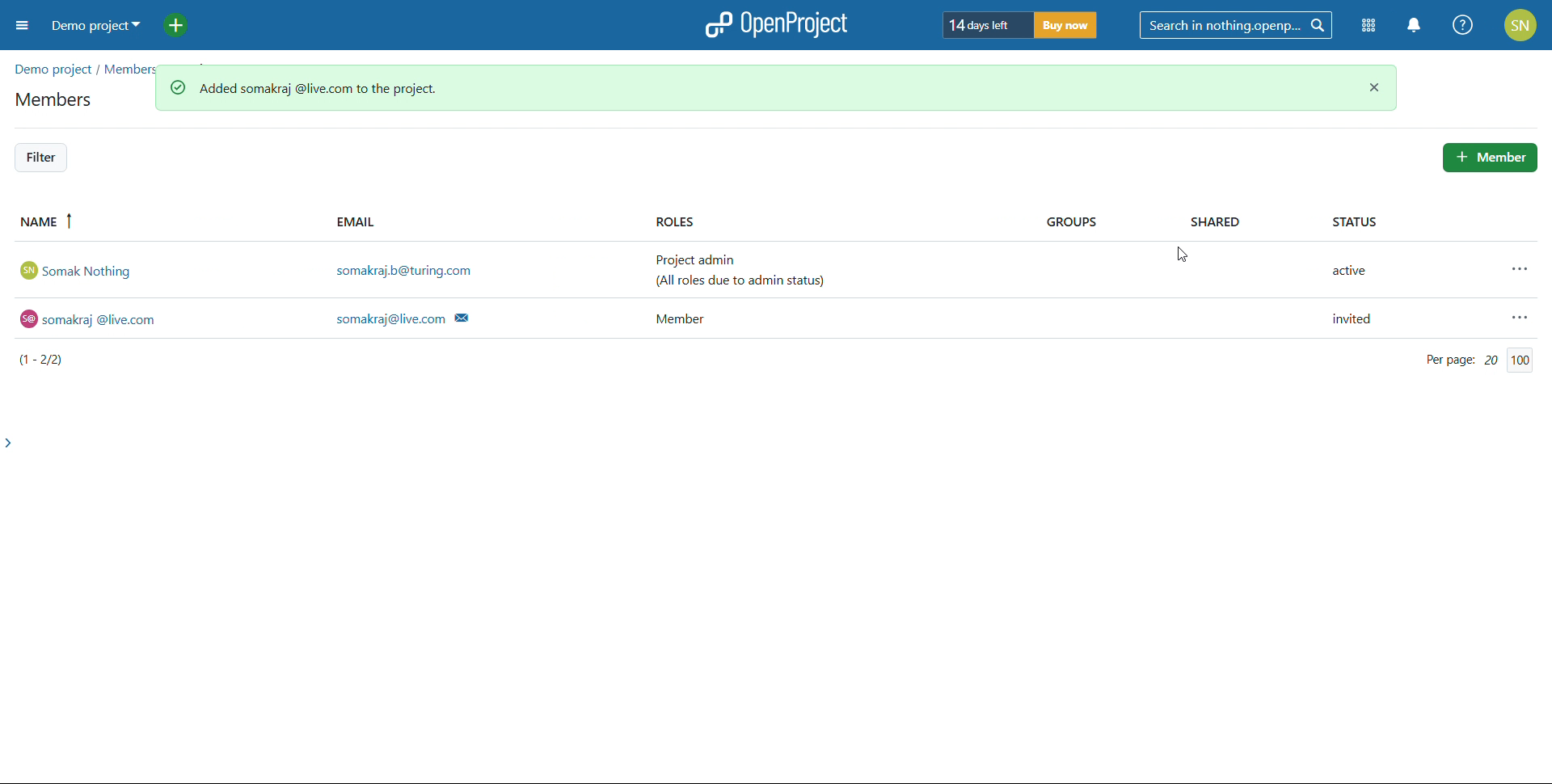  Describe the element at coordinates (185, 26) in the screenshot. I see `add project` at that location.